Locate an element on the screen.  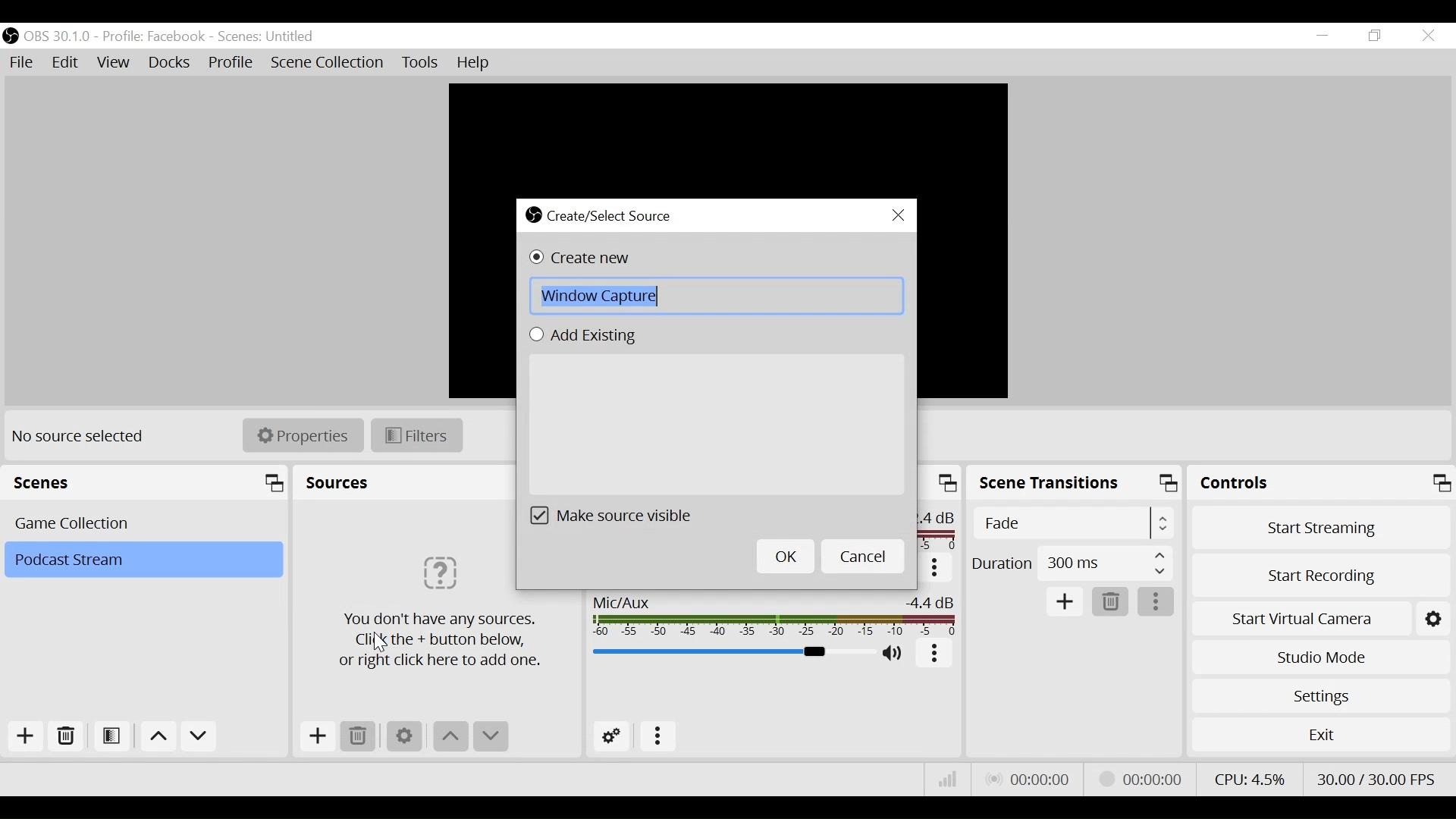
Filters is located at coordinates (416, 435).